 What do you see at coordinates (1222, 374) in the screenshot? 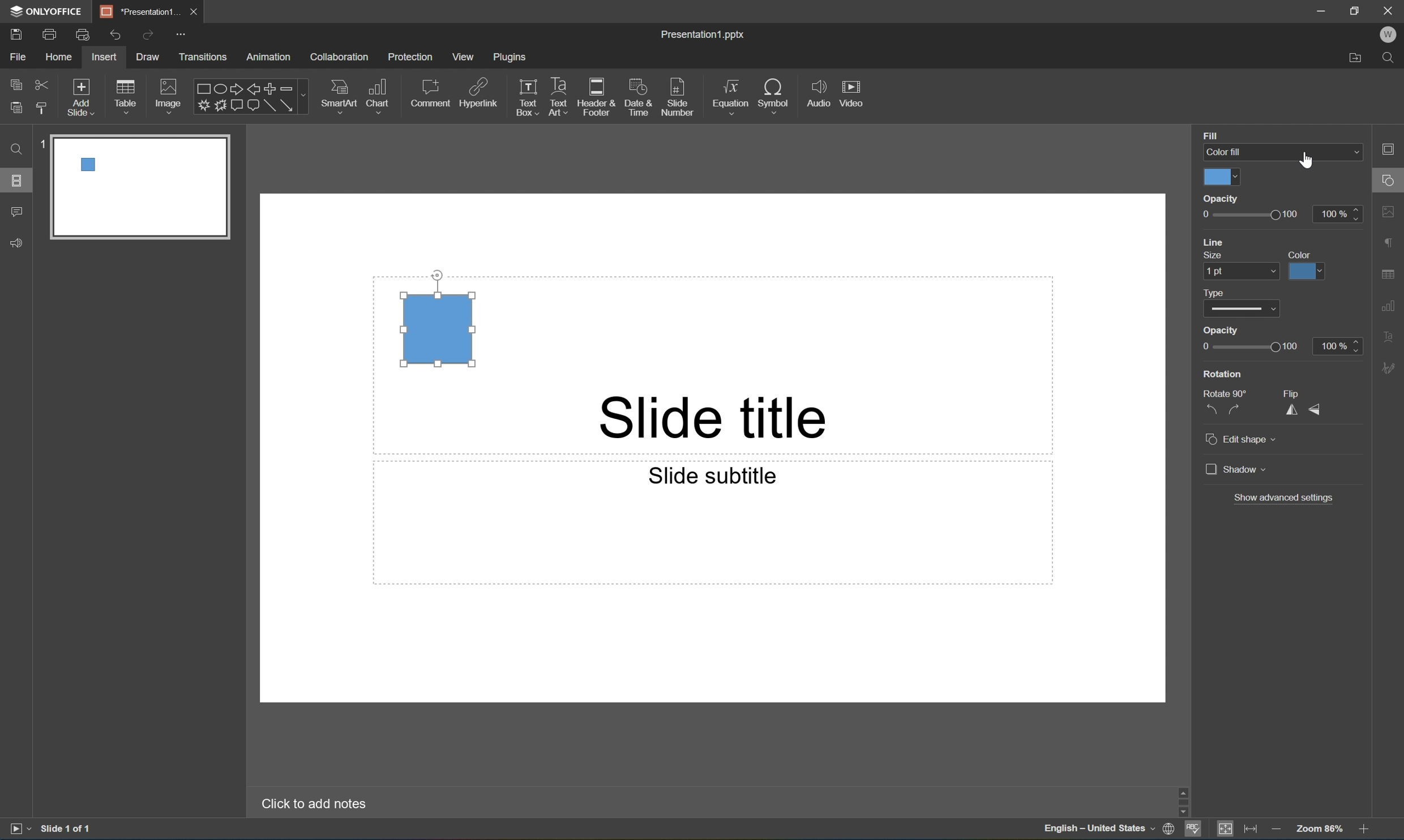
I see `Rotation` at bounding box center [1222, 374].